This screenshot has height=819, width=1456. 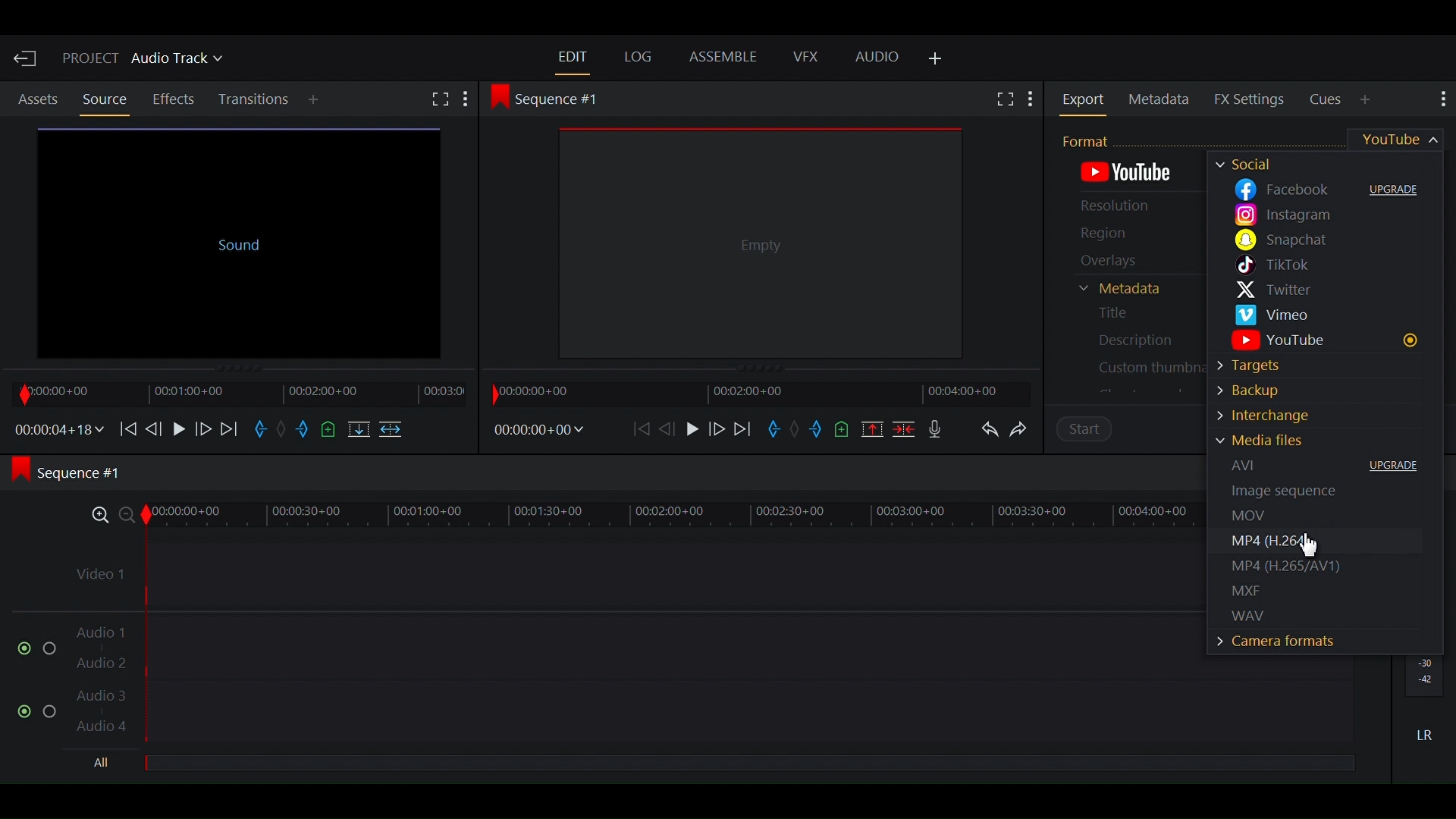 I want to click on Vimeo, so click(x=1325, y=317).